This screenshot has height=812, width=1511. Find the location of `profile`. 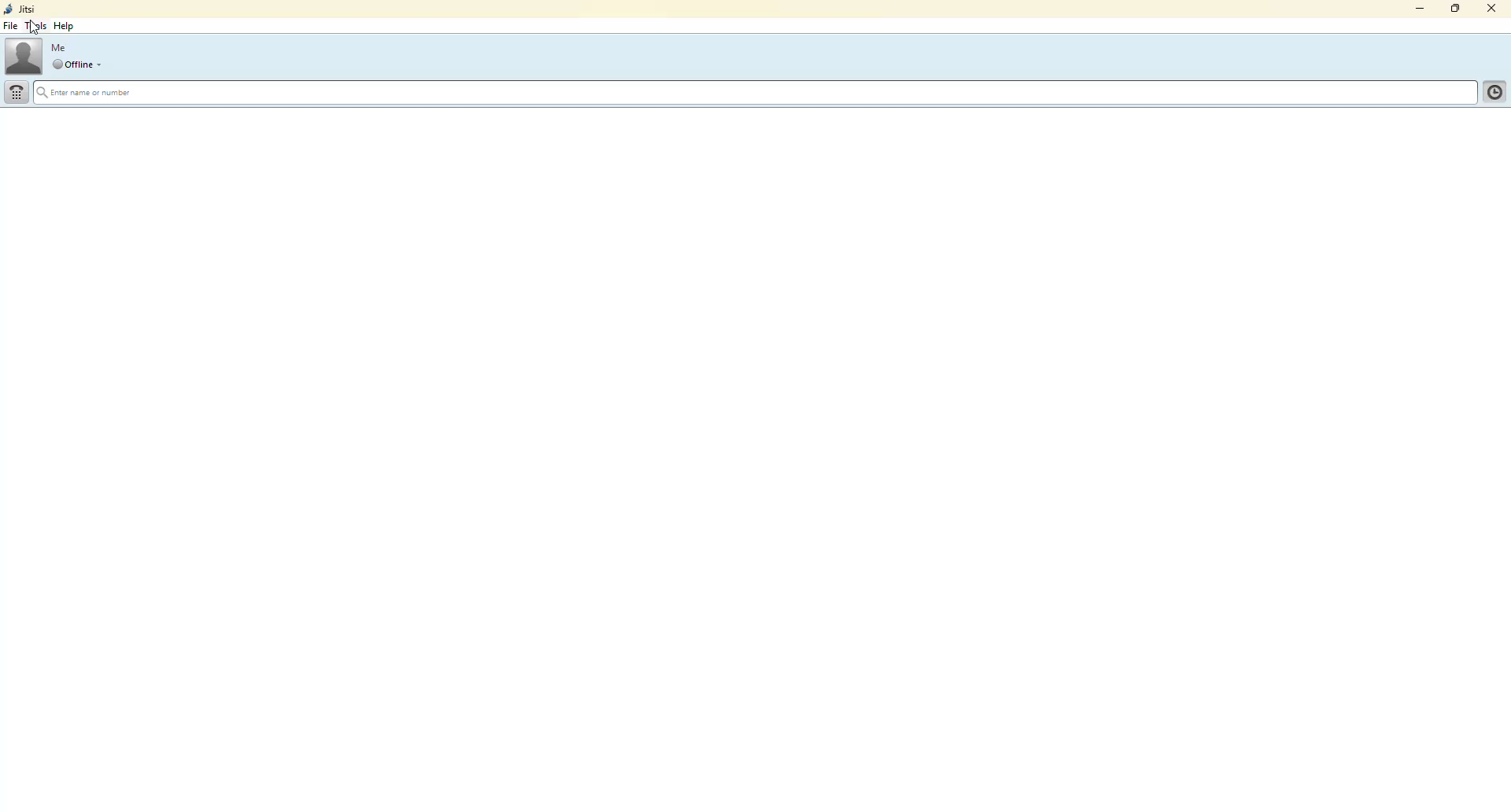

profile is located at coordinates (24, 55).